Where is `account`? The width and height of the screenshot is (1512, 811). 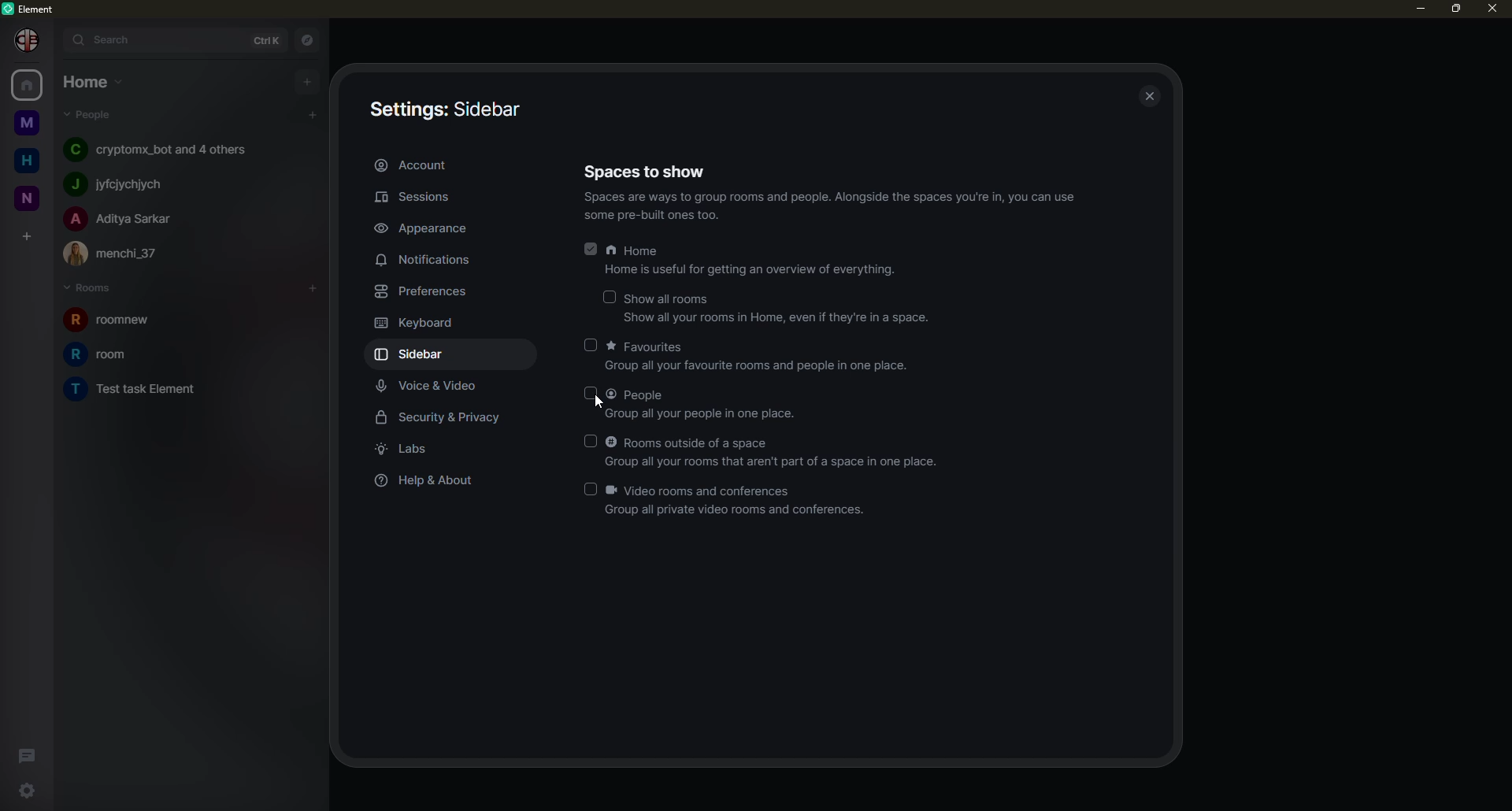 account is located at coordinates (424, 165).